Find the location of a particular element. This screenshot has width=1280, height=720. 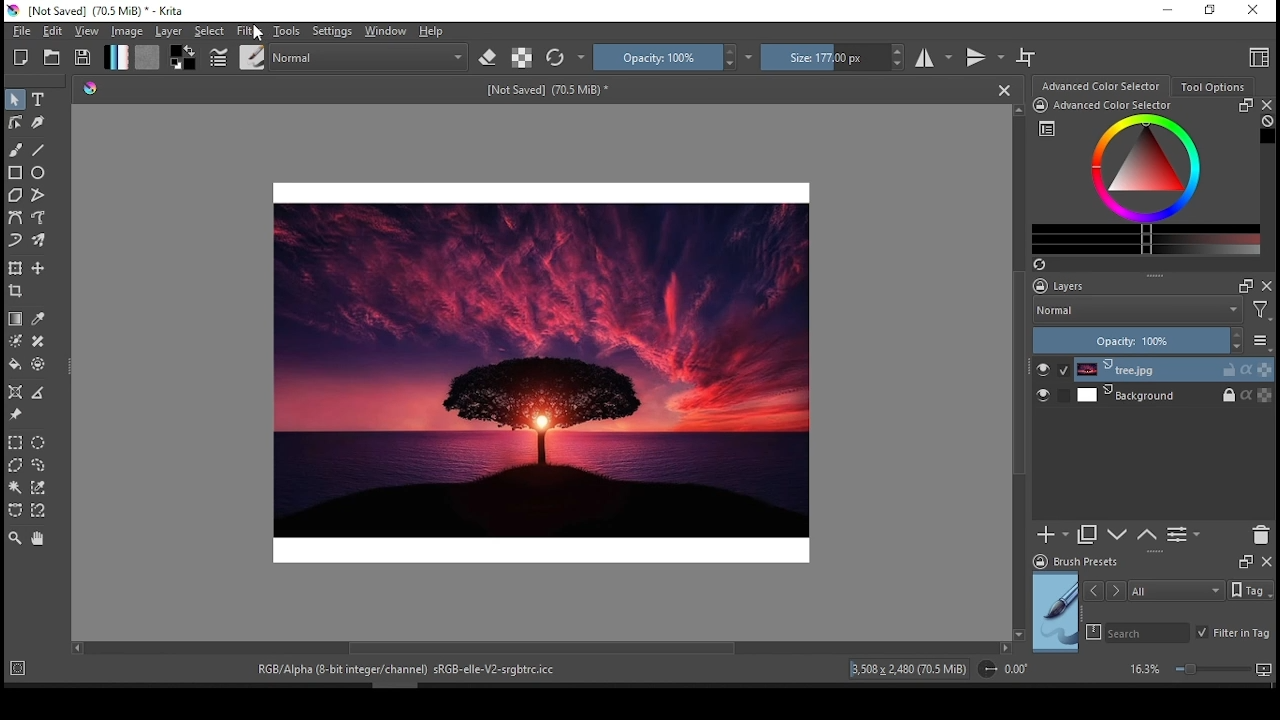

layer 1 is located at coordinates (1172, 369).